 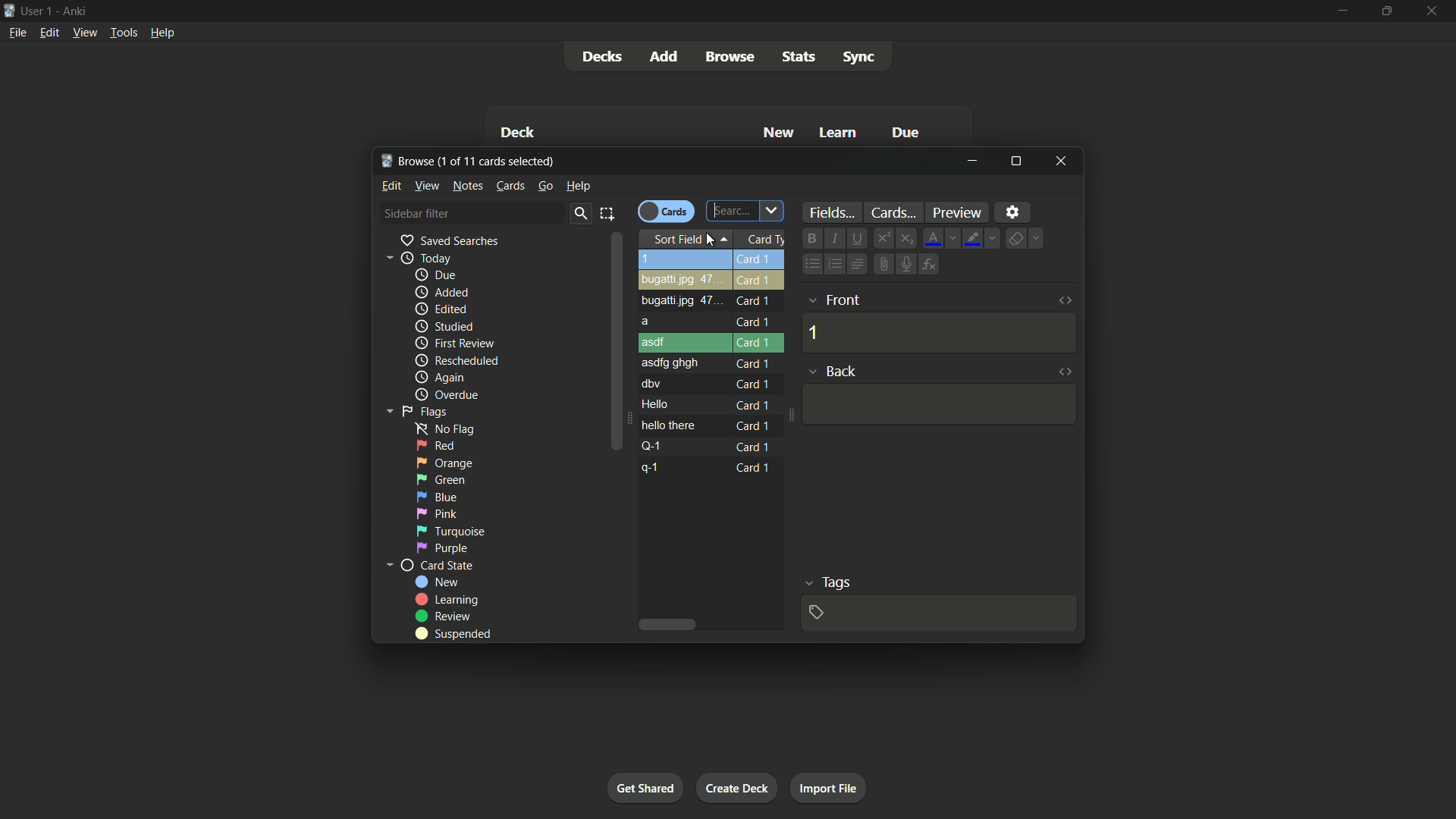 I want to click on card 1, so click(x=755, y=468).